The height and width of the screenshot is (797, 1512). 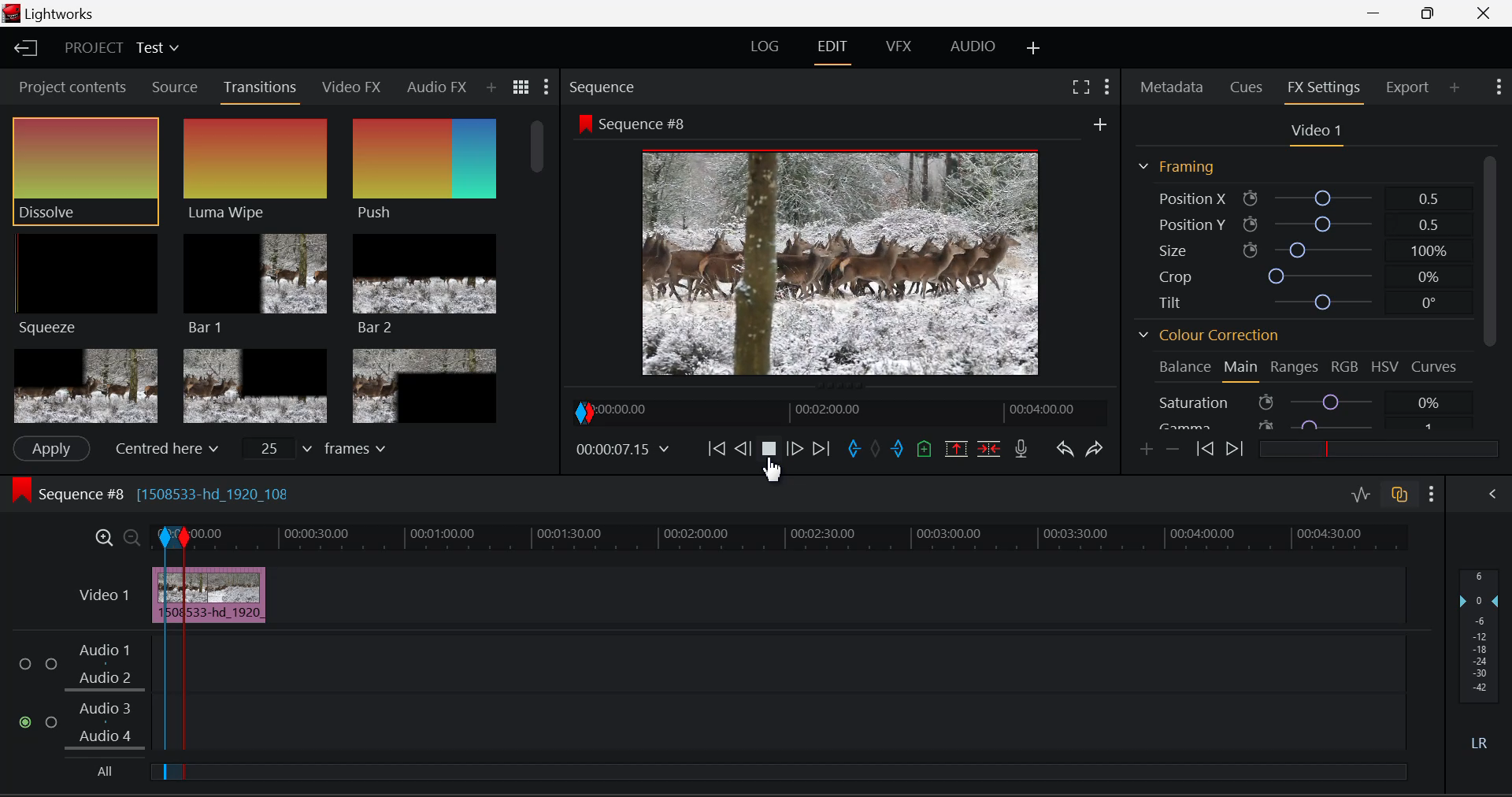 What do you see at coordinates (129, 535) in the screenshot?
I see `Timeline Zoom Out` at bounding box center [129, 535].